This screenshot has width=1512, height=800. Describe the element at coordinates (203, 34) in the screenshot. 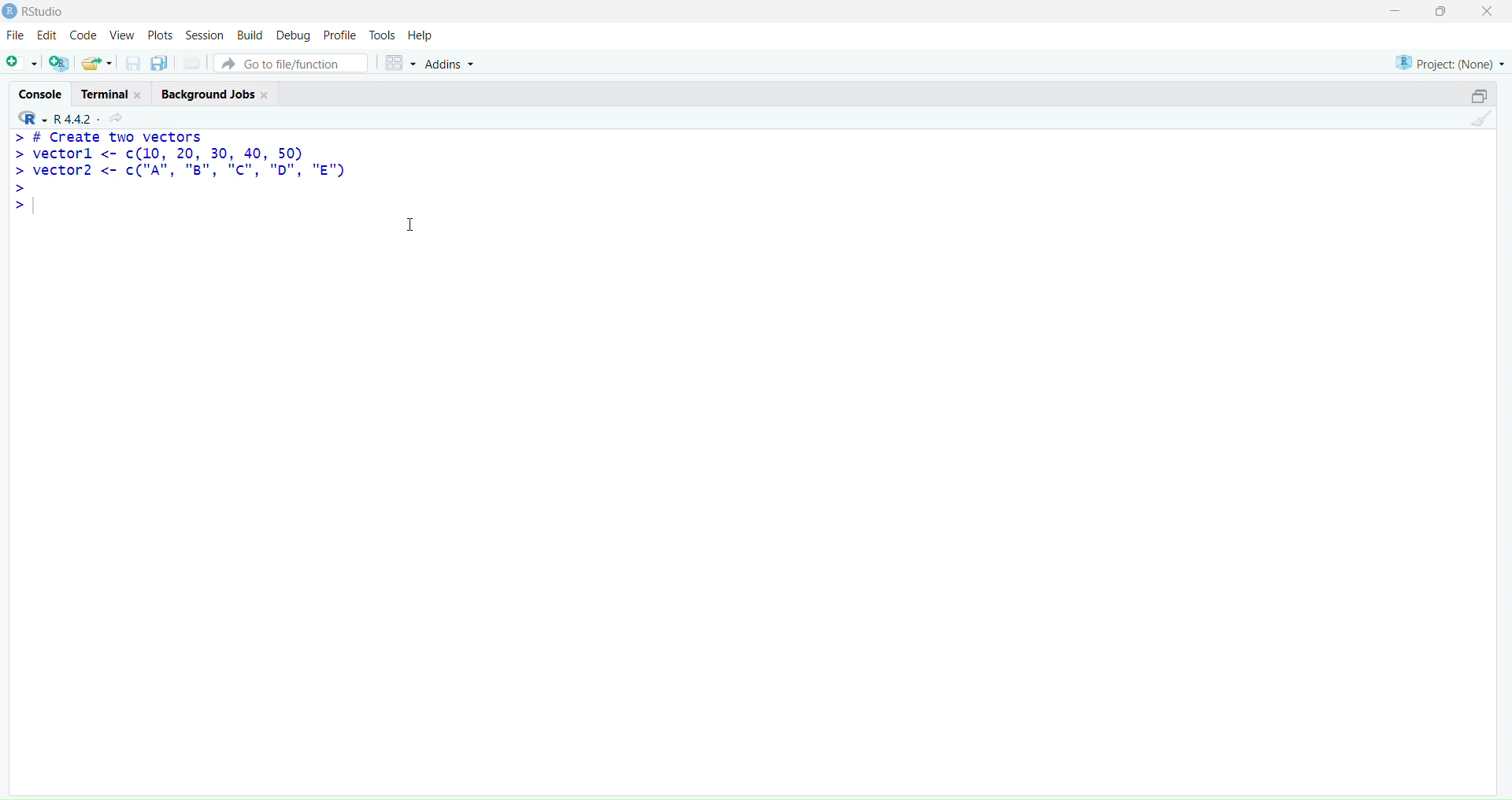

I see `Session` at that location.